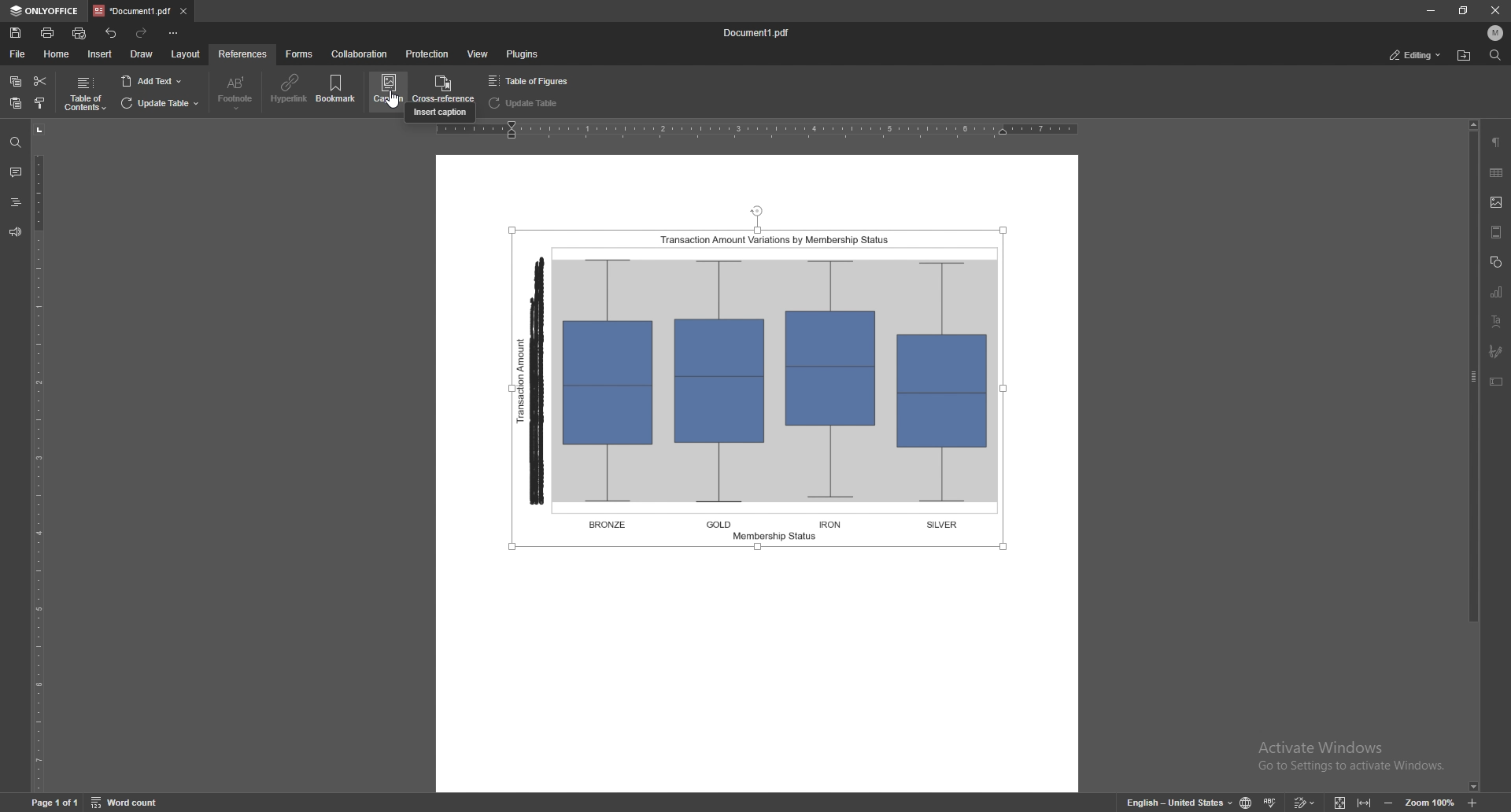 Image resolution: width=1511 pixels, height=812 pixels. I want to click on figure, so click(763, 381).